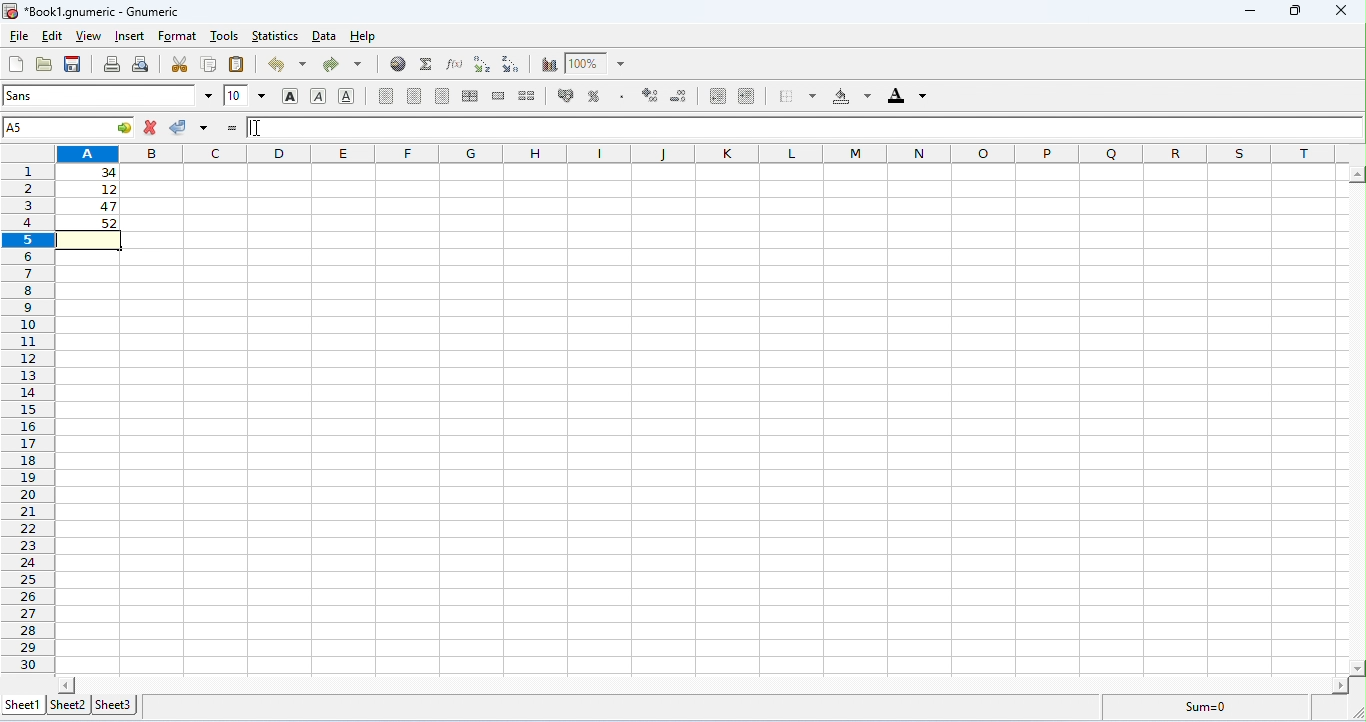 This screenshot has width=1366, height=722. What do you see at coordinates (28, 419) in the screenshot?
I see `row numbers` at bounding box center [28, 419].